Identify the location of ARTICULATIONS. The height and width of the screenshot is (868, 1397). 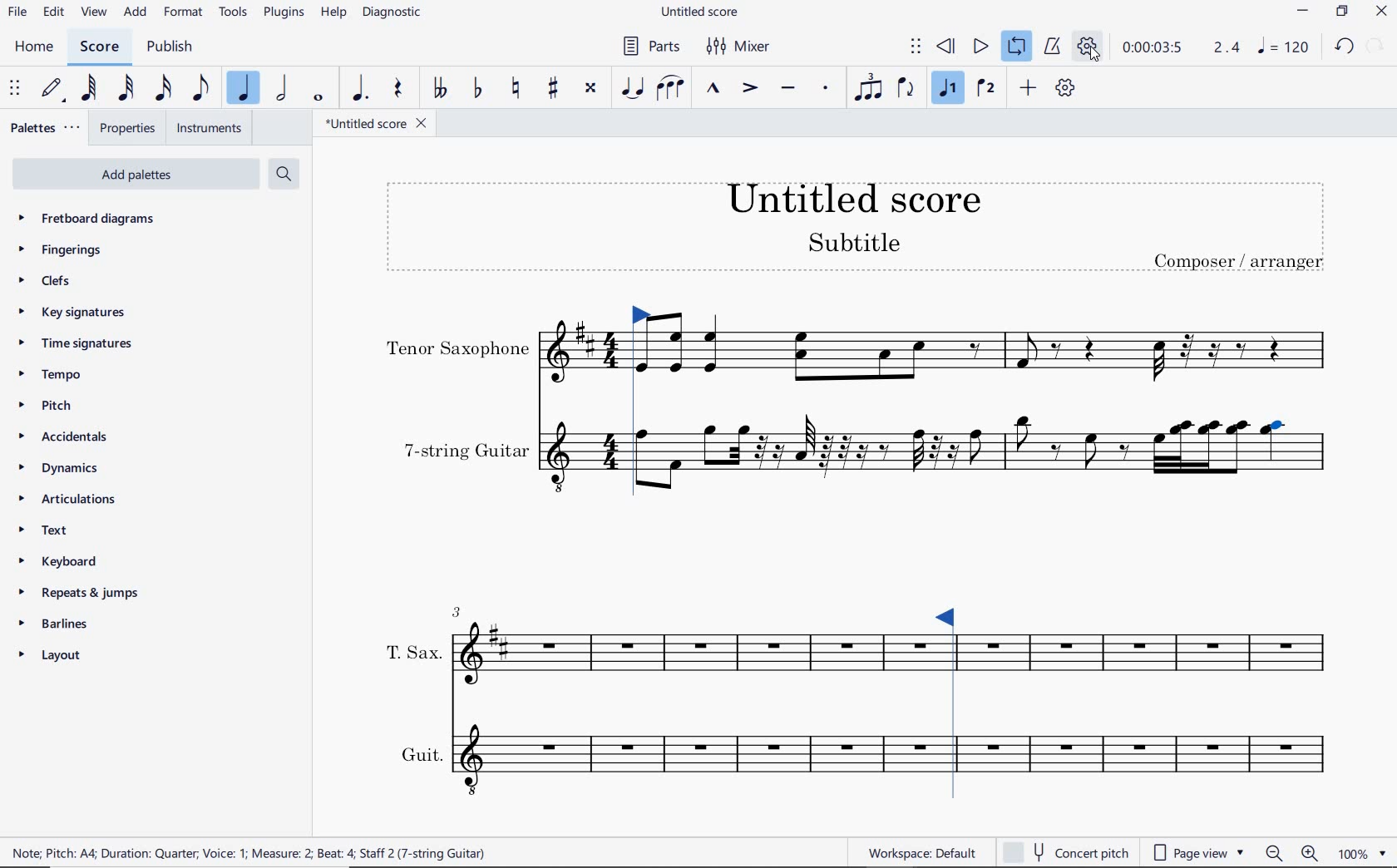
(67, 499).